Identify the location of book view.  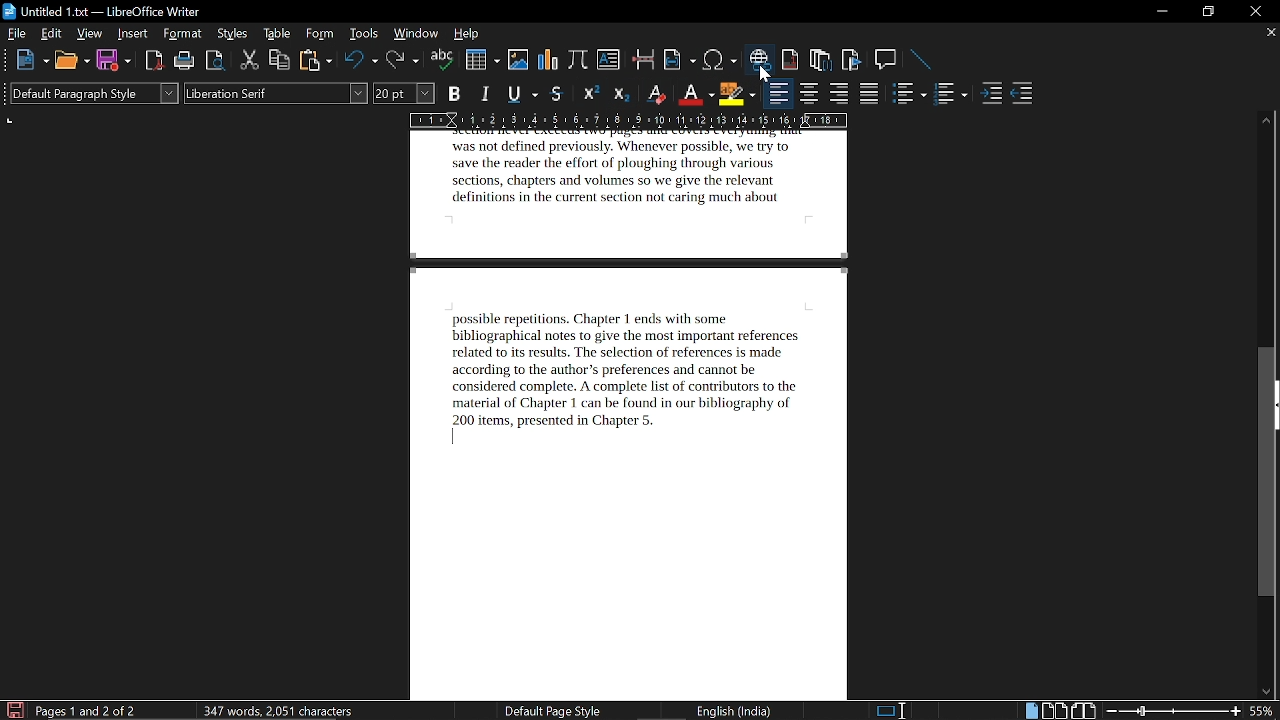
(1083, 709).